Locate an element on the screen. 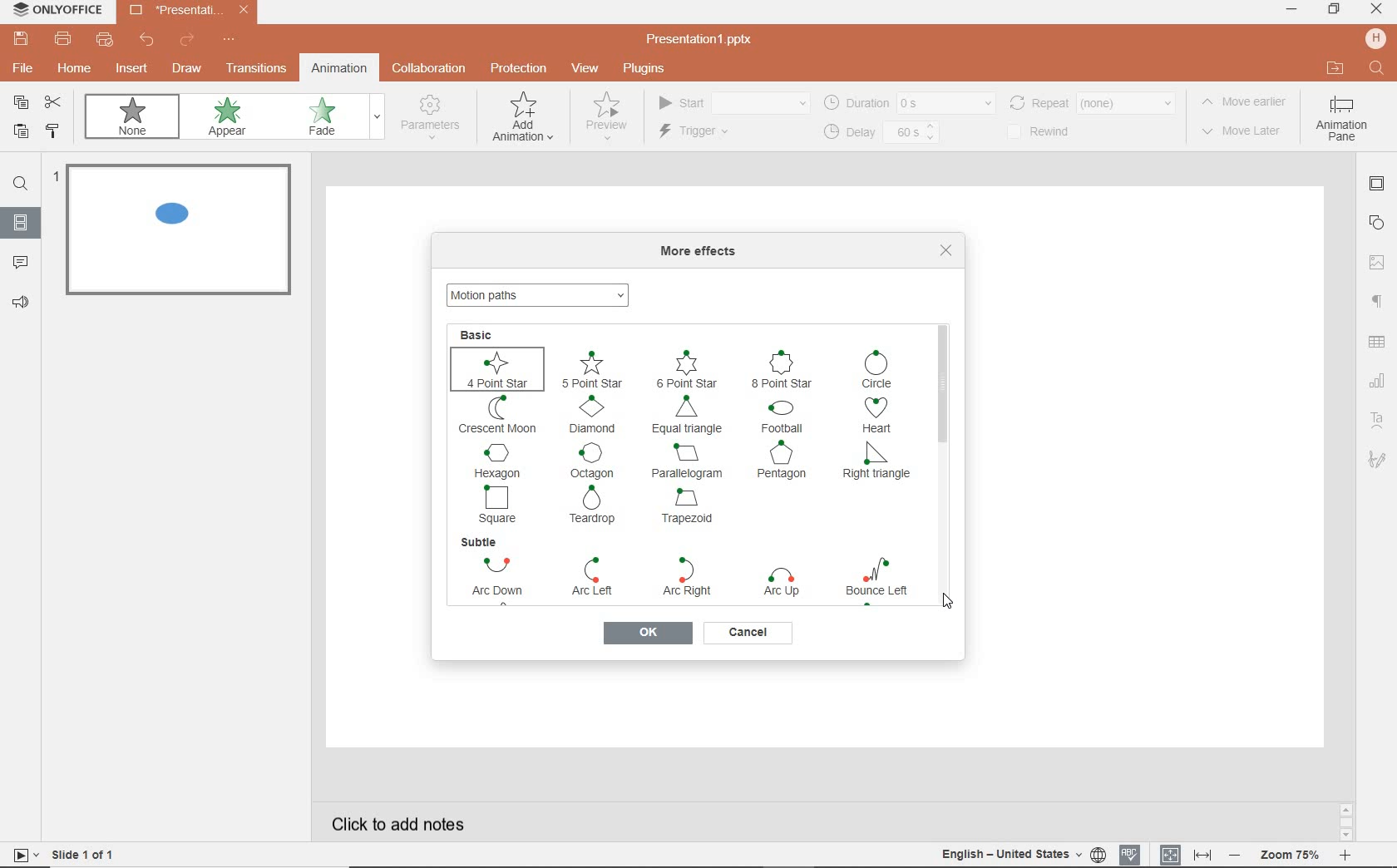 Image resolution: width=1397 pixels, height=868 pixels. CIRCLE is located at coordinates (880, 369).